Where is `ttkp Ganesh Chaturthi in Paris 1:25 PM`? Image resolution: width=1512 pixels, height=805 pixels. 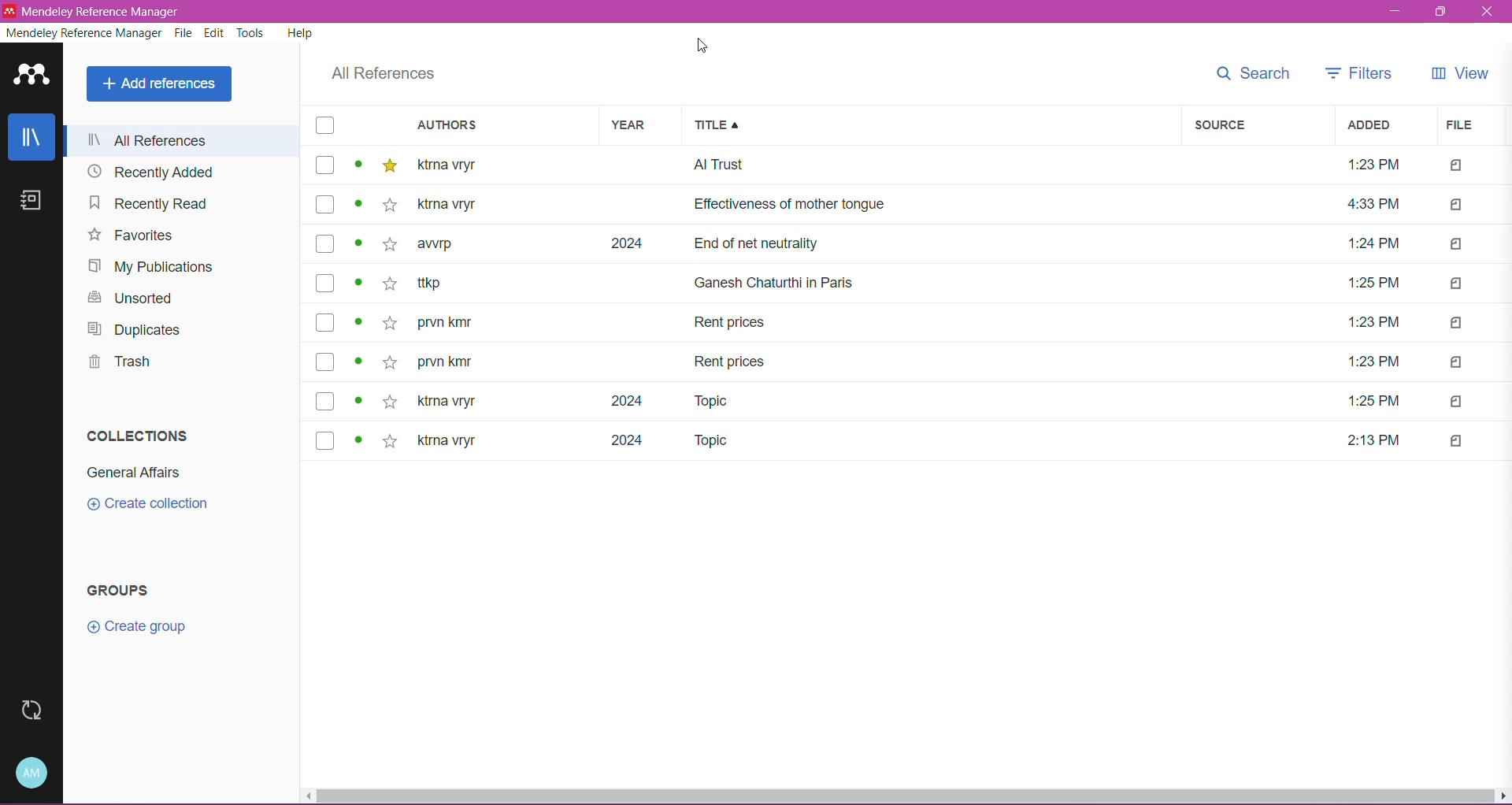
ttkp Ganesh Chaturthi in Paris 1:25 PM is located at coordinates (913, 284).